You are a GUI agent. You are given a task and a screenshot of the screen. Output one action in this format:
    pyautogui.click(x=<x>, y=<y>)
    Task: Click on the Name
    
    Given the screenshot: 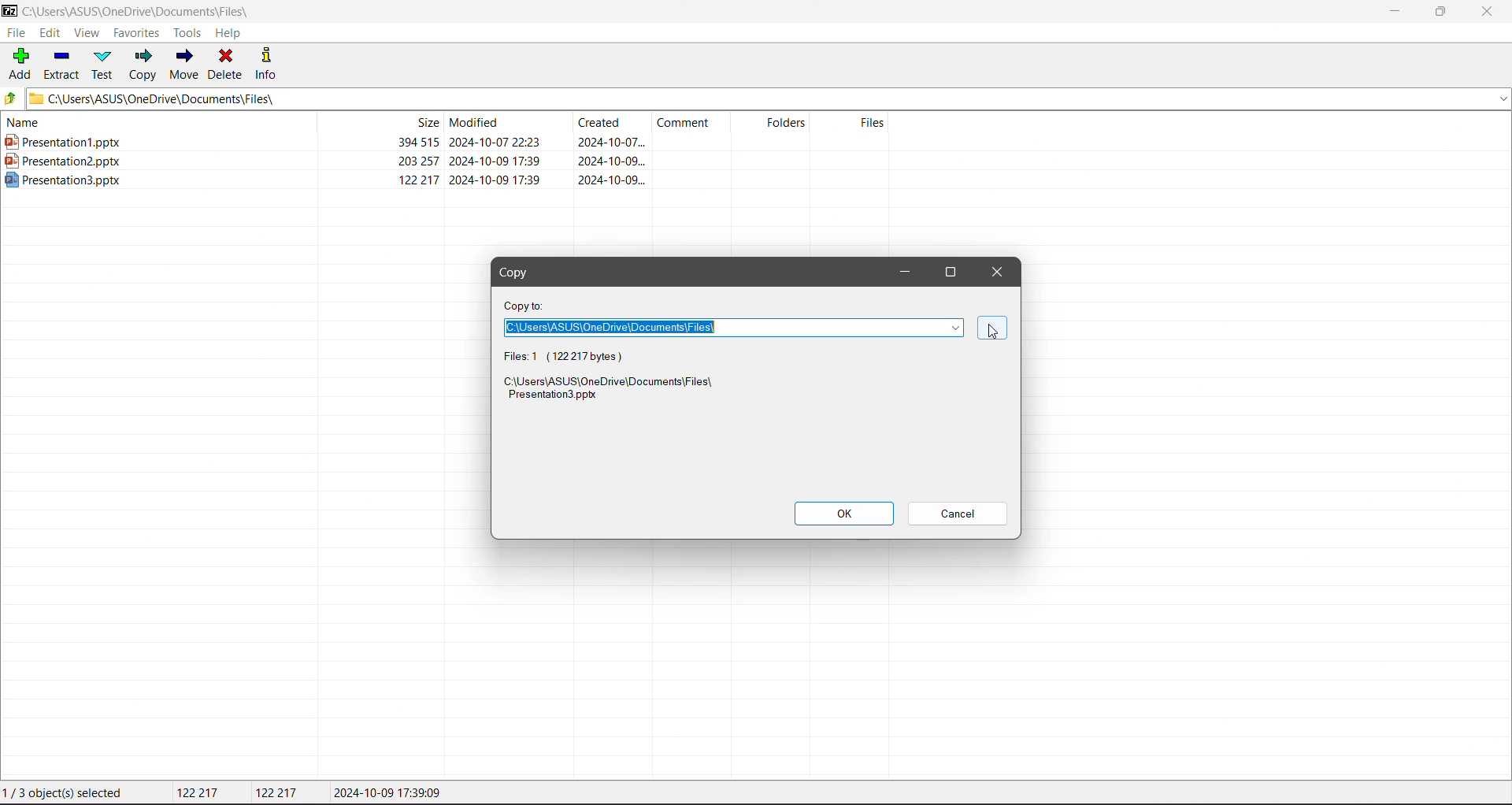 What is the action you would take?
    pyautogui.click(x=150, y=122)
    